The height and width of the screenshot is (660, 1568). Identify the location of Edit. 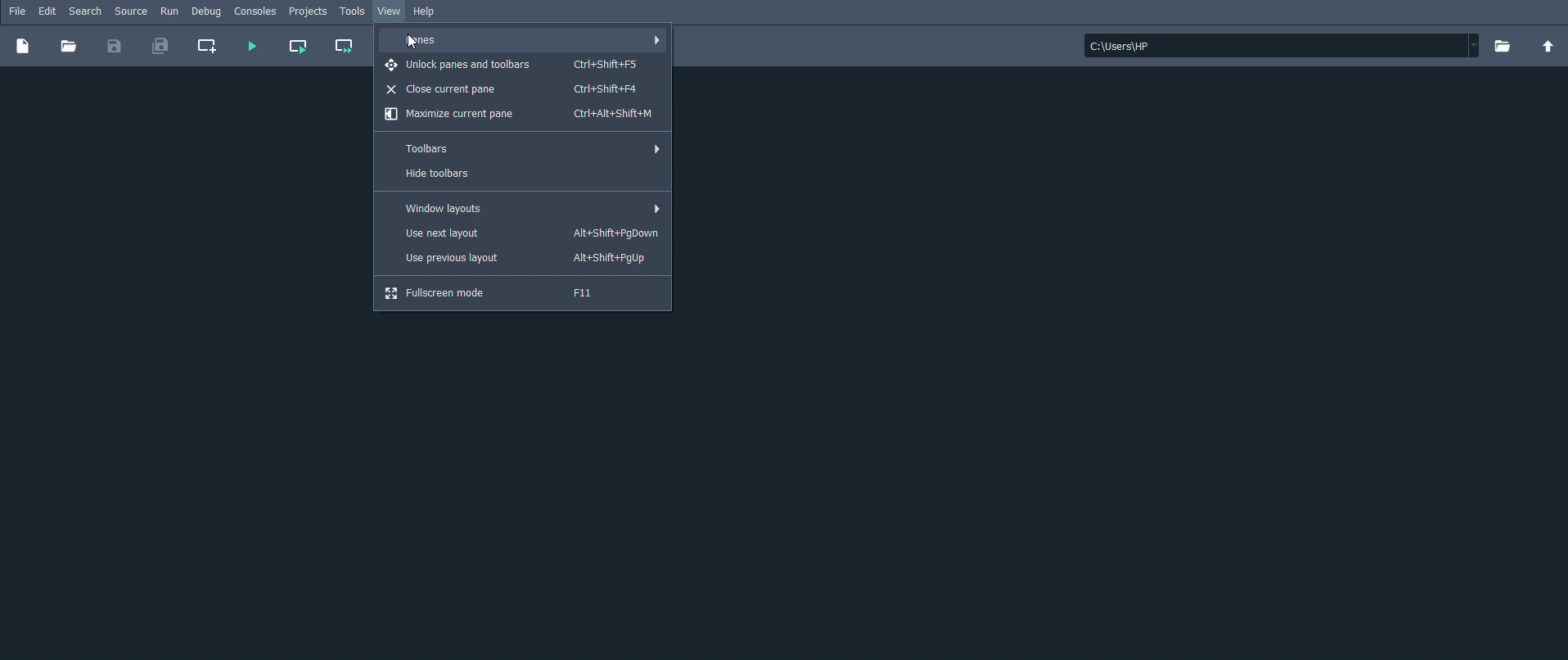
(47, 11).